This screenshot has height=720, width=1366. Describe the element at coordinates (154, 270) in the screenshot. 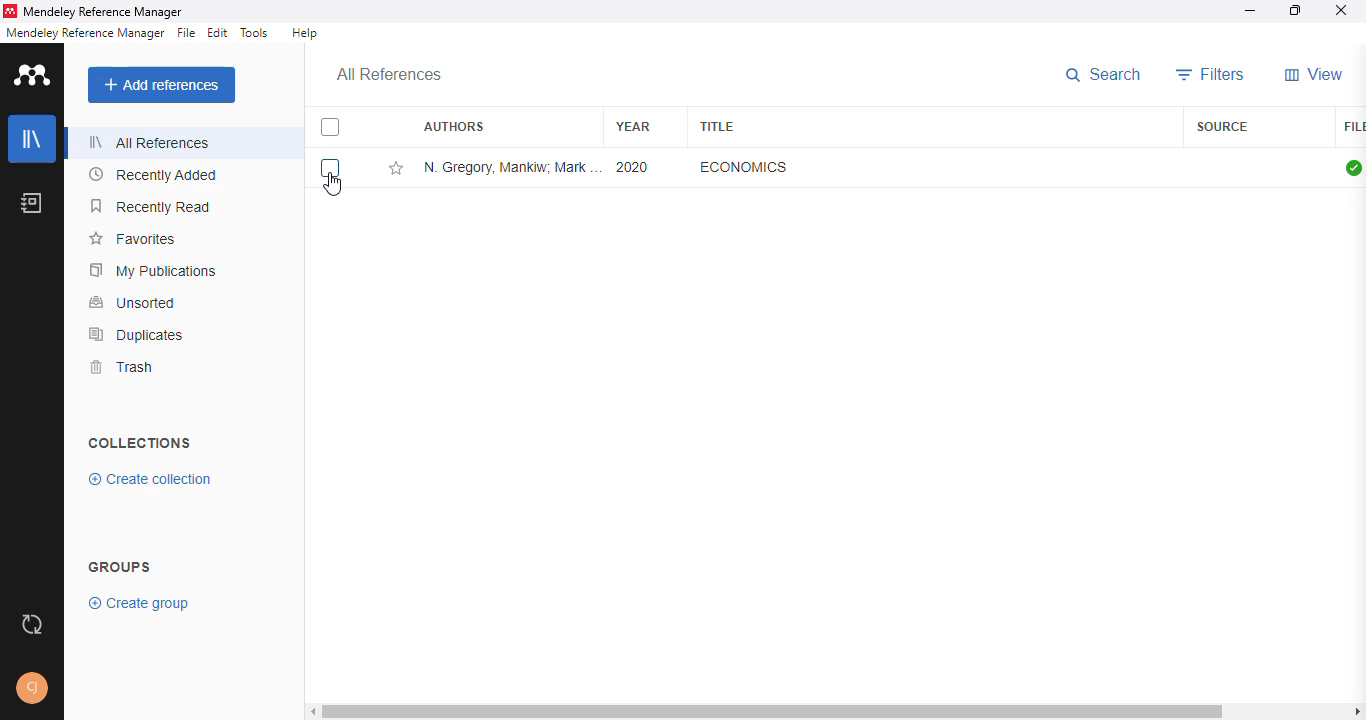

I see `my publications` at that location.